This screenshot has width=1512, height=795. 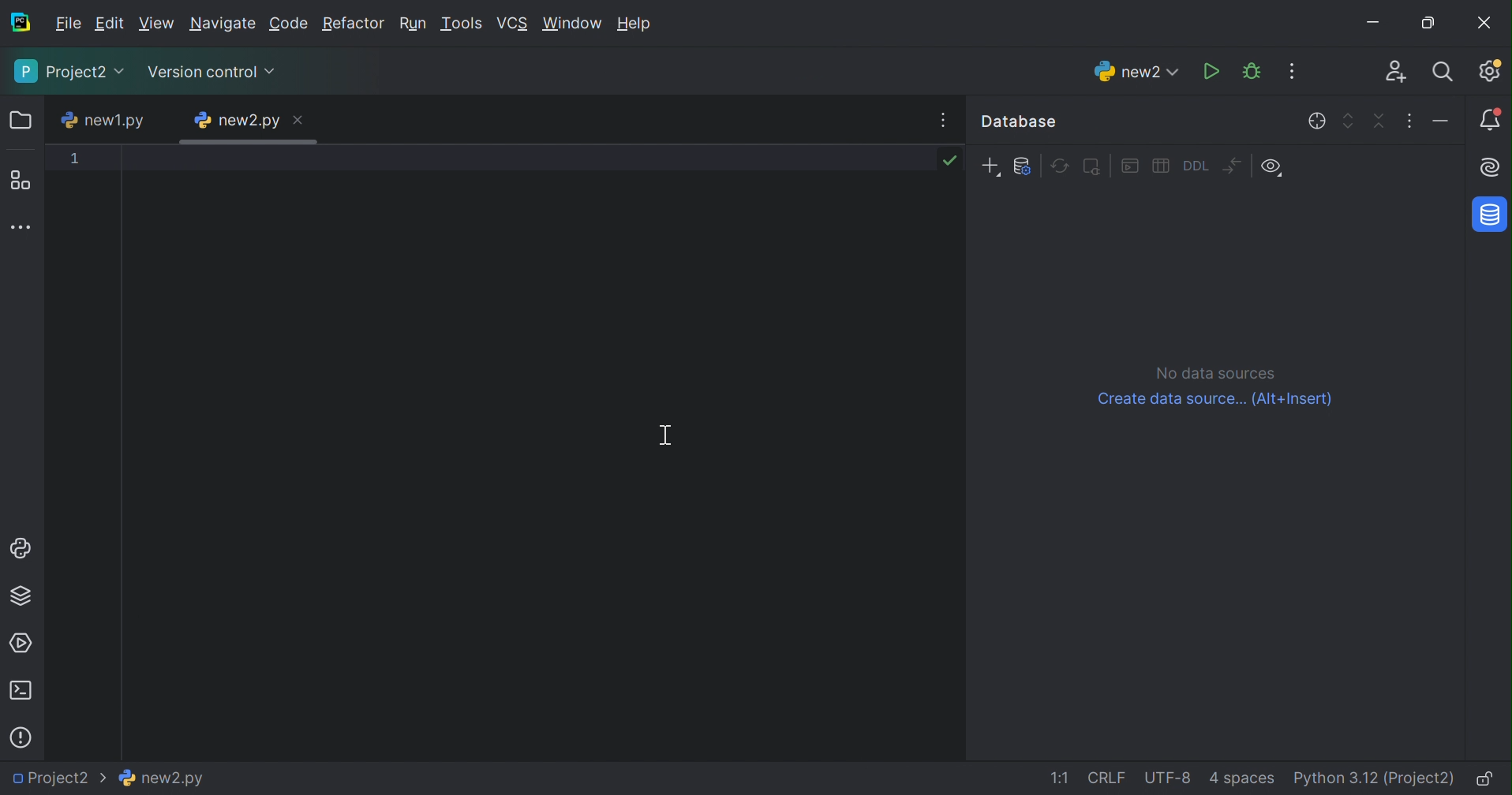 I want to click on Search everywhere, so click(x=1446, y=73).